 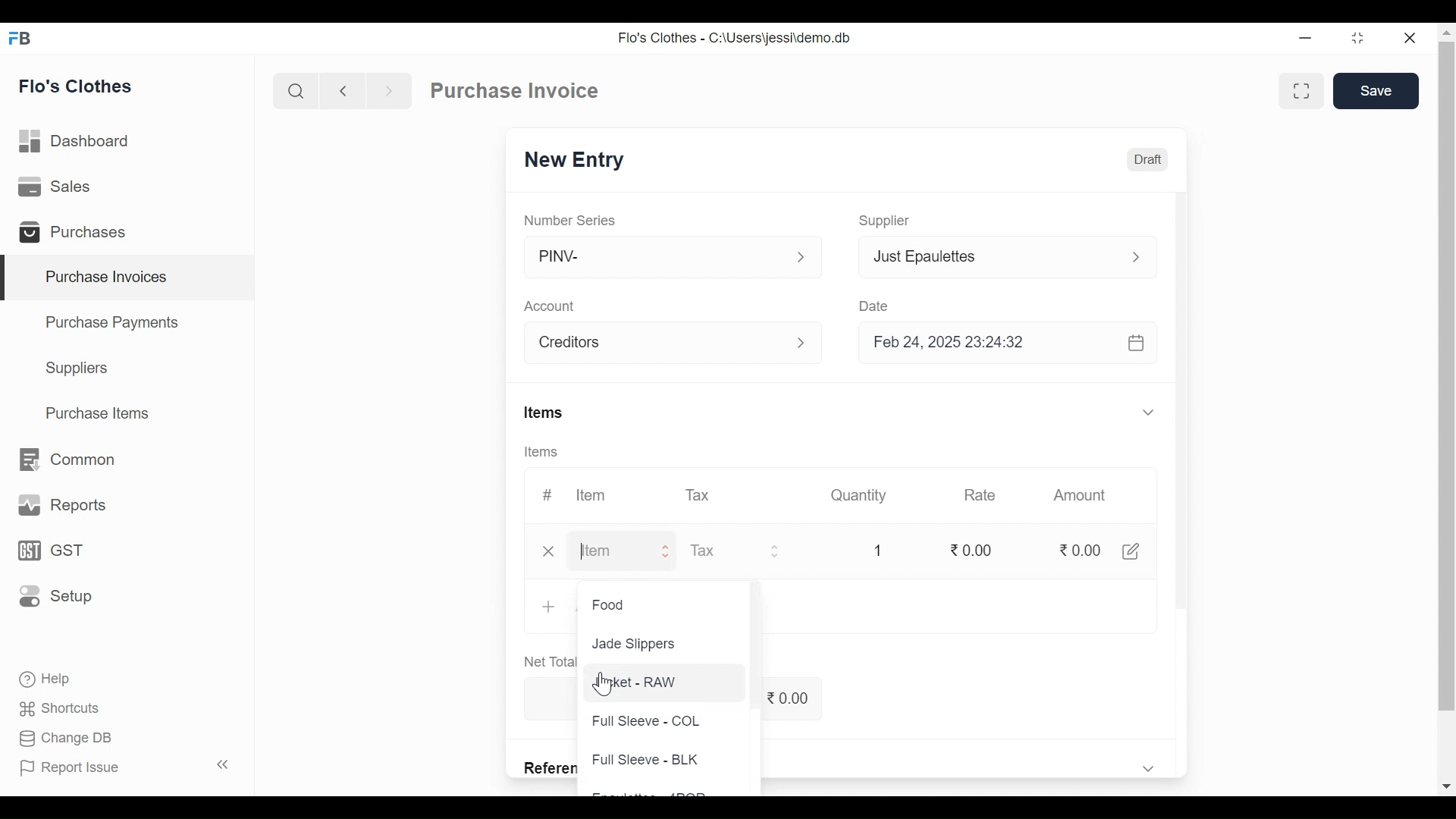 What do you see at coordinates (80, 370) in the screenshot?
I see `Suppliers` at bounding box center [80, 370].